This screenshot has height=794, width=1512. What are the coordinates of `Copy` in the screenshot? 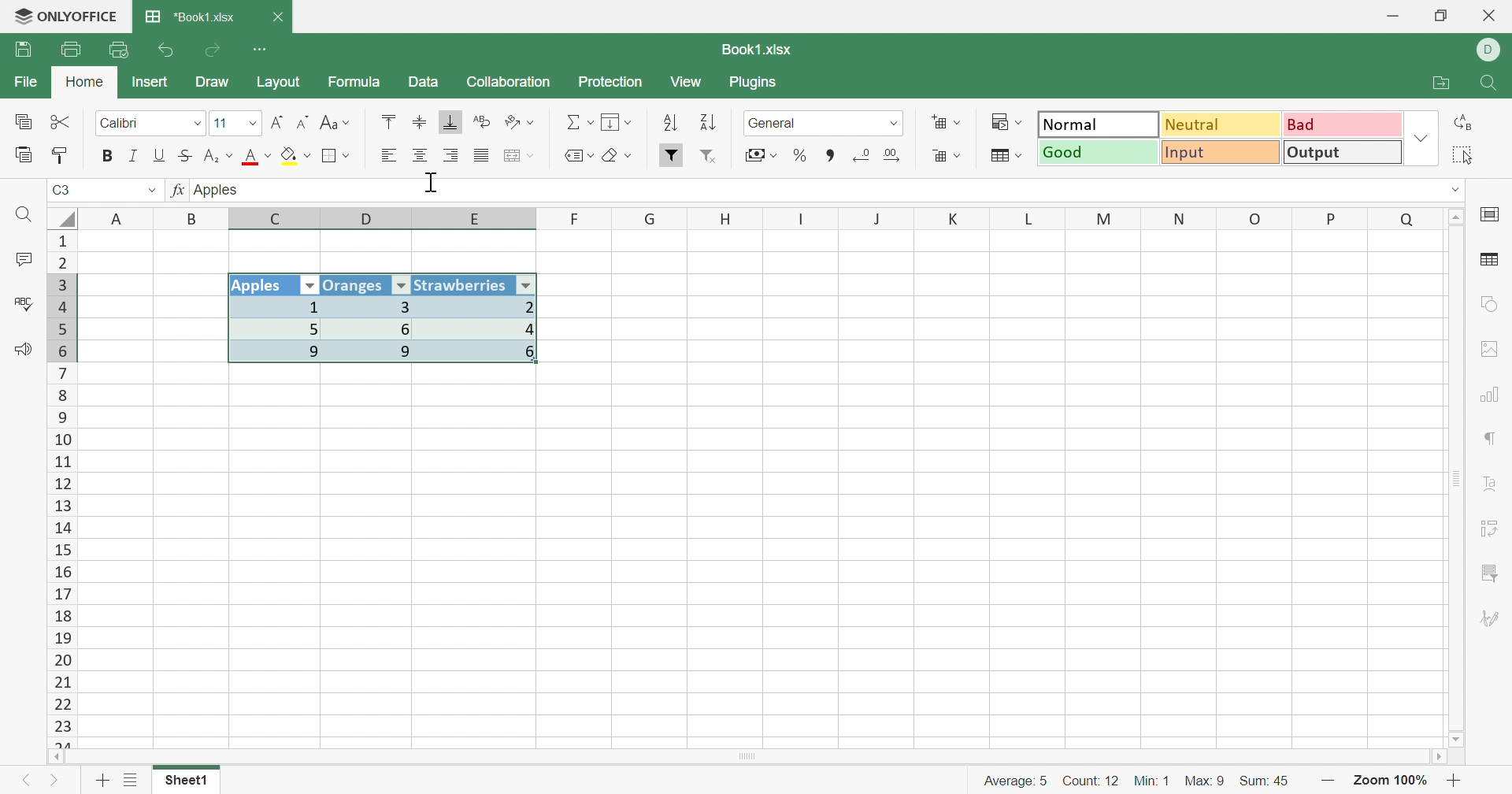 It's located at (22, 123).